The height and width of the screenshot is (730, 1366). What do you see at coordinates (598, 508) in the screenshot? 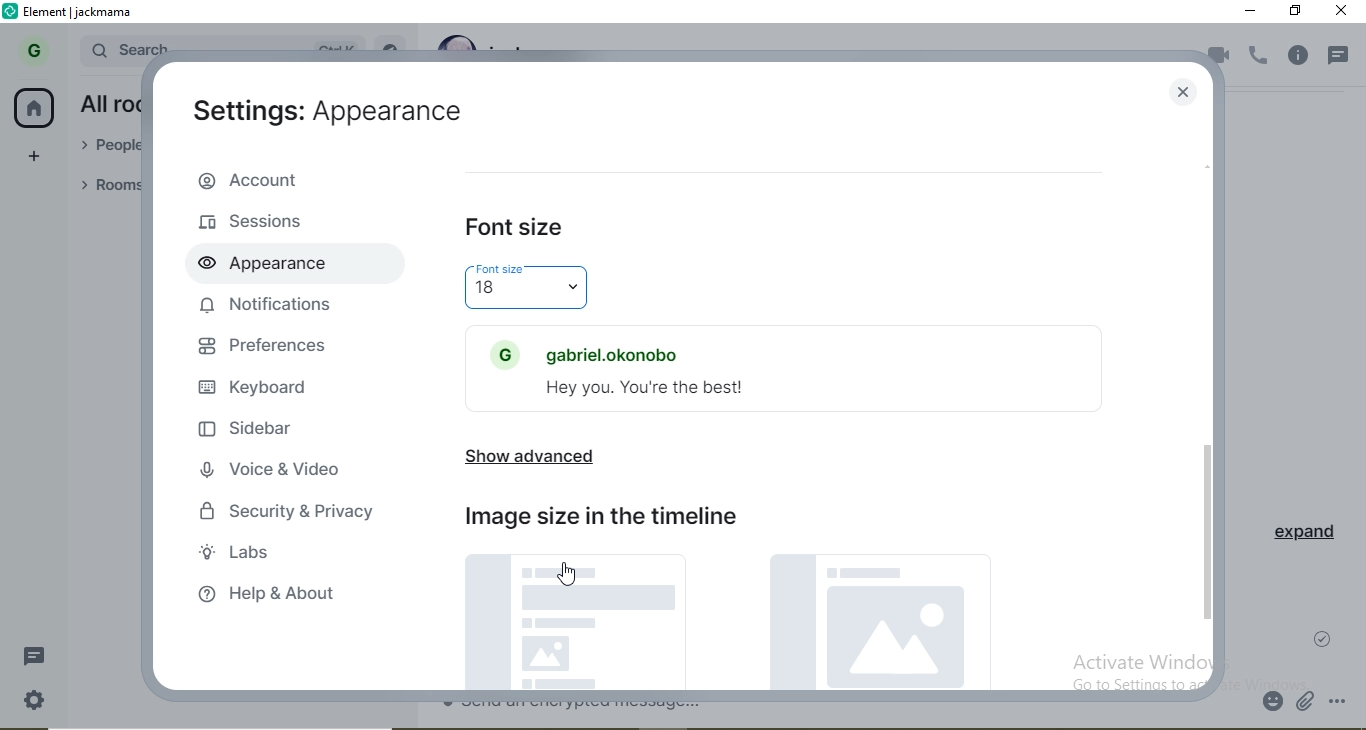
I see `image size in the timeline` at bounding box center [598, 508].